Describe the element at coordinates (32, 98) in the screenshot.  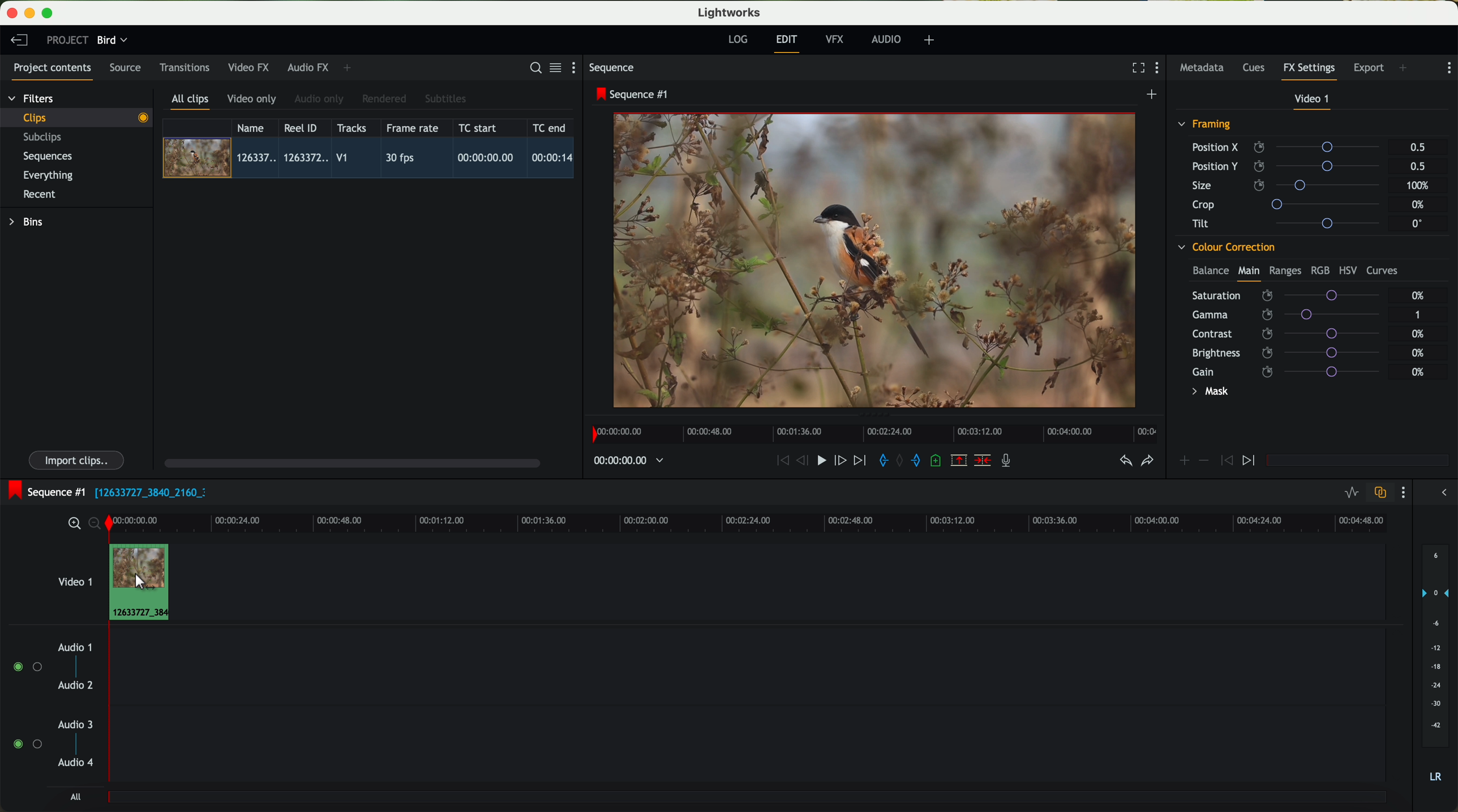
I see `filters` at that location.